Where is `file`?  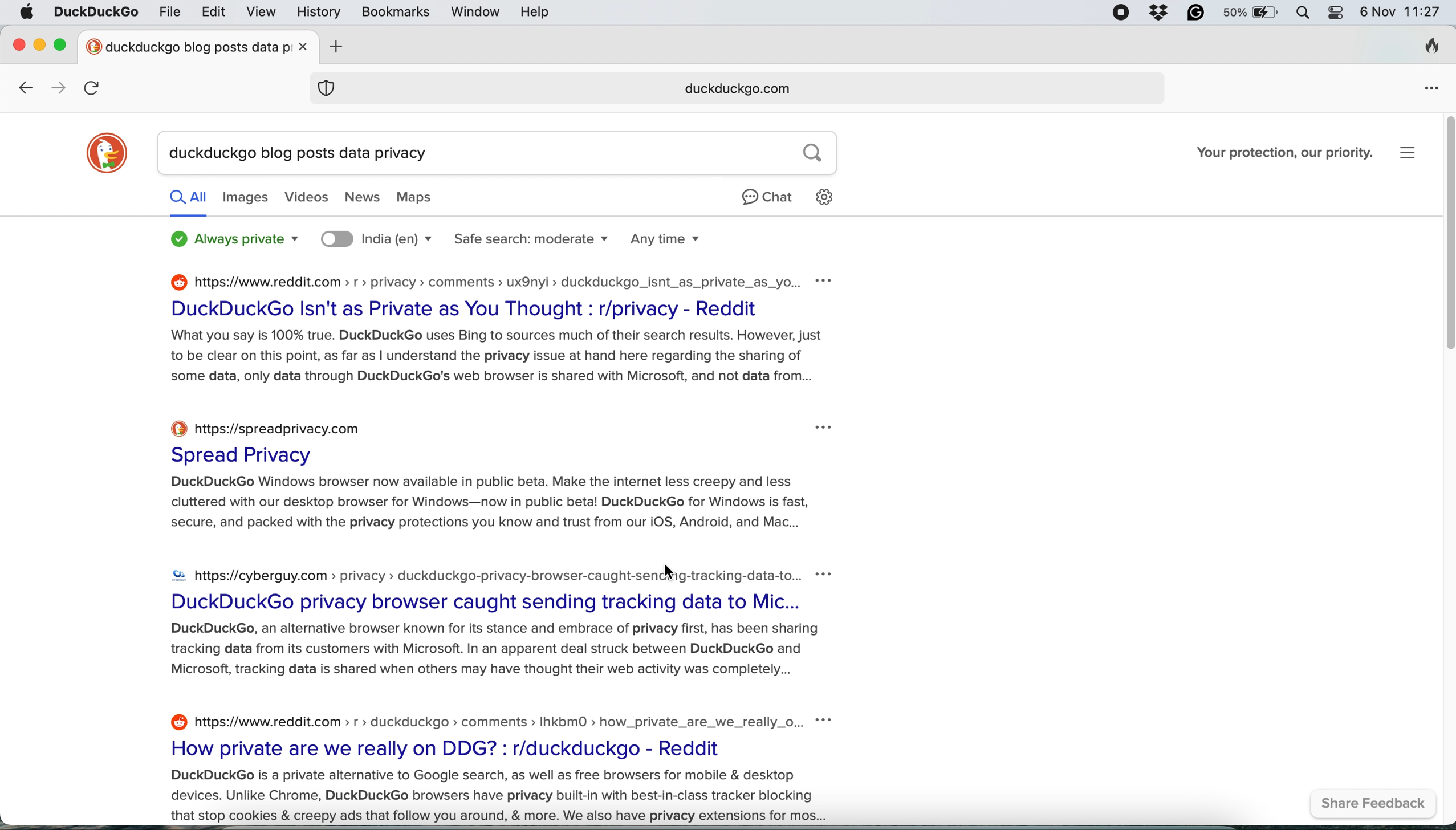
file is located at coordinates (169, 13).